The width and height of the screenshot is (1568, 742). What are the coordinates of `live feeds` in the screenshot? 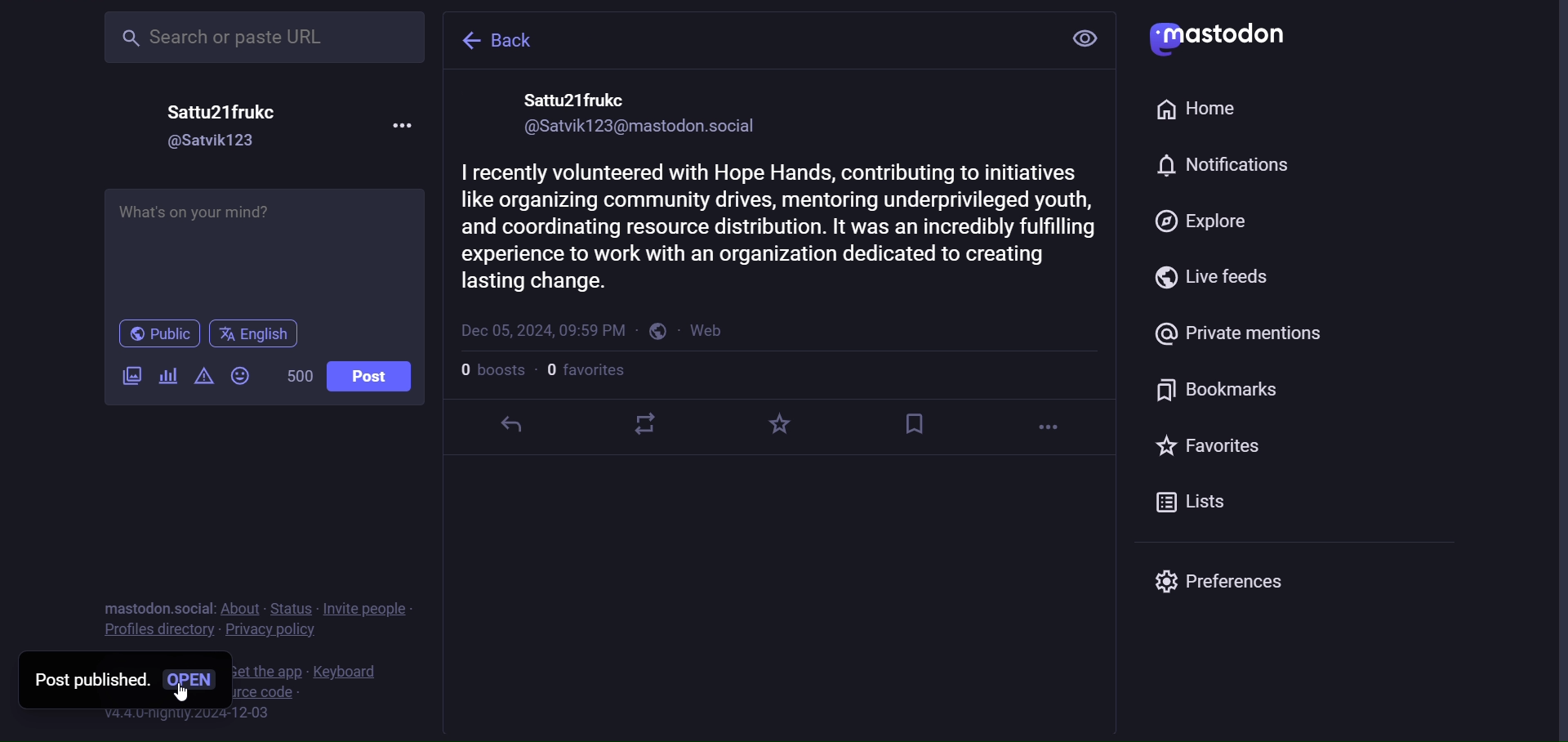 It's located at (1206, 280).